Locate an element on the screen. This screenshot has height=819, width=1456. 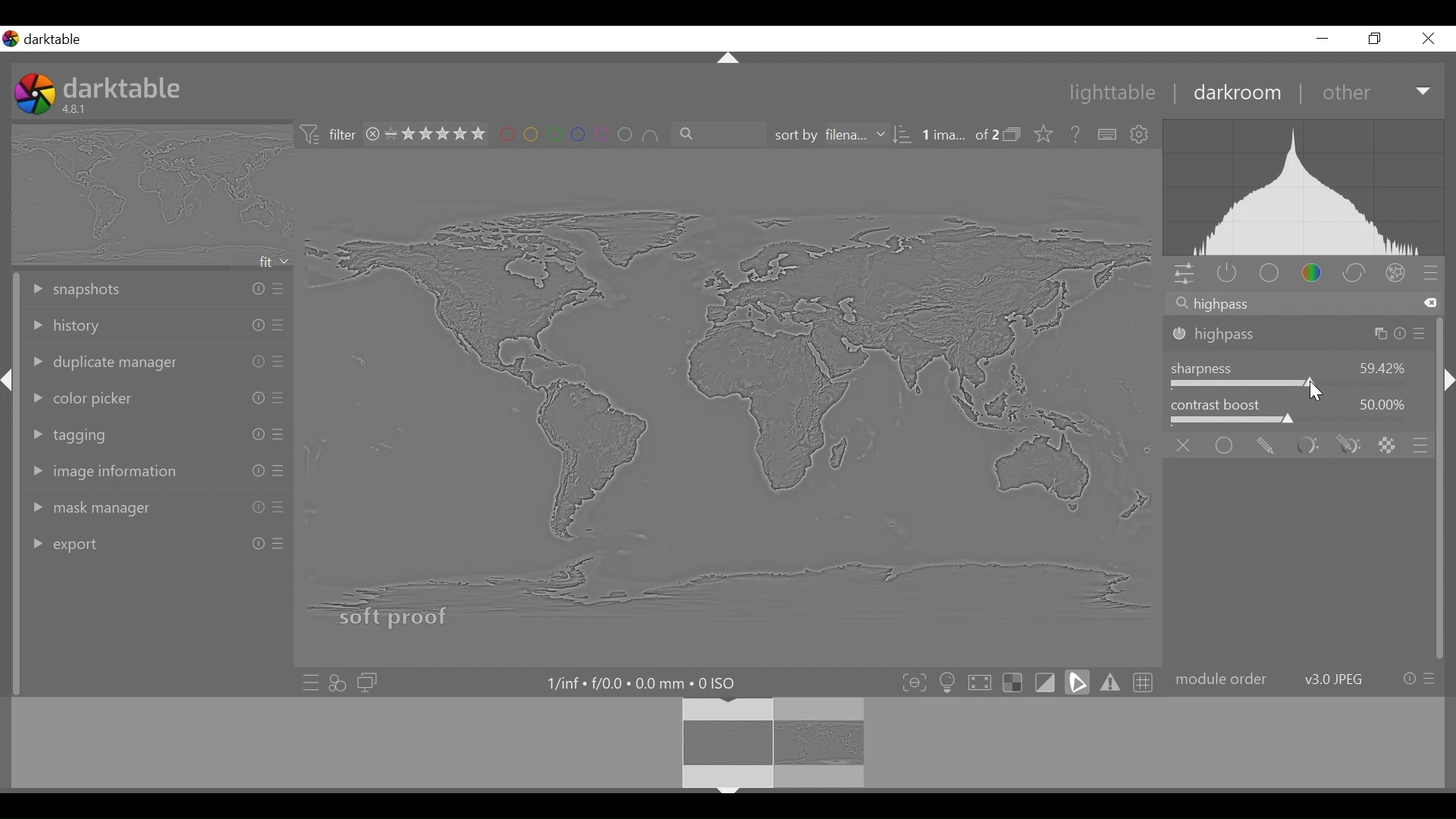
darktable is located at coordinates (128, 86).